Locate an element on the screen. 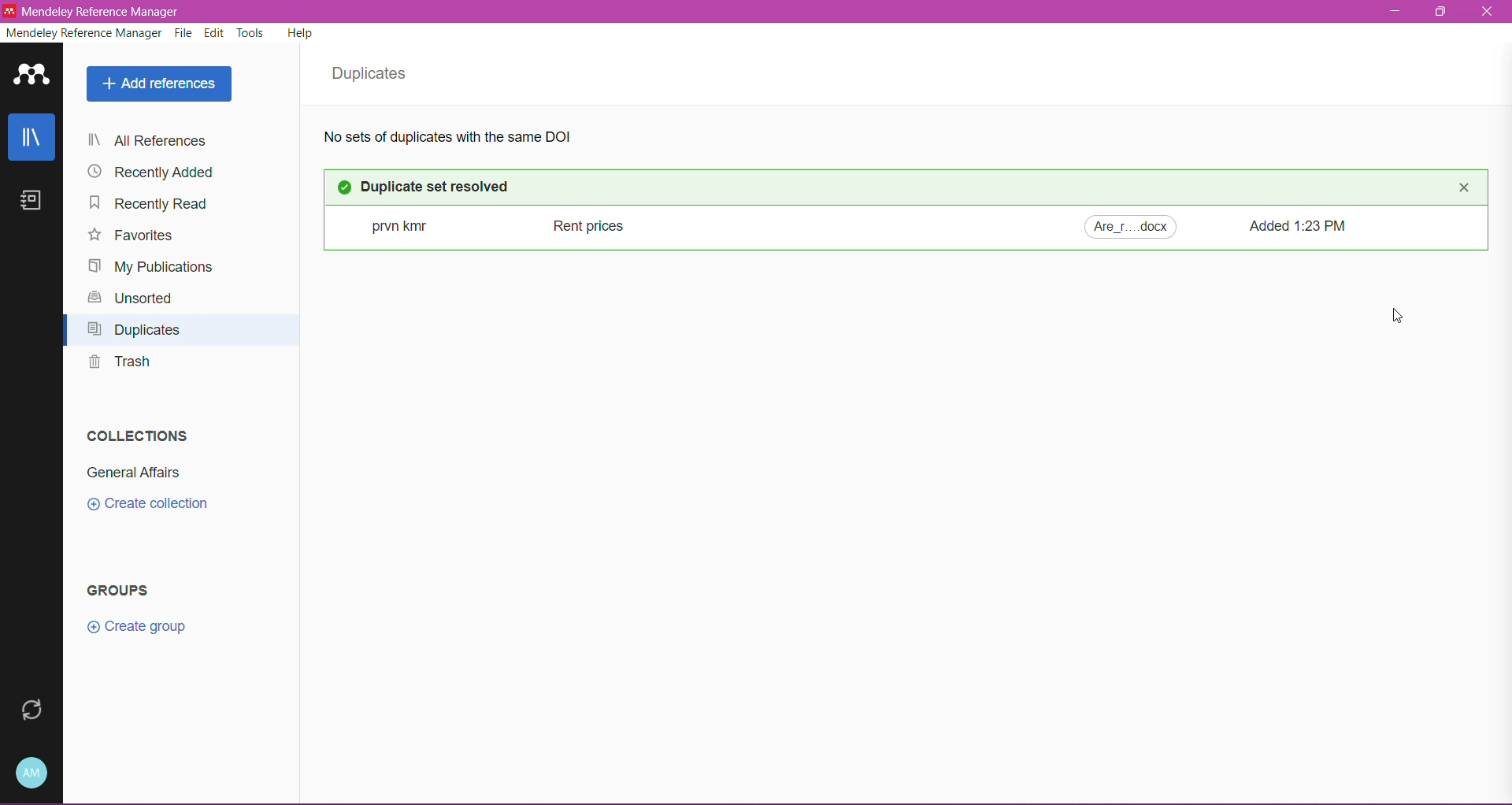 The image size is (1512, 805). Help is located at coordinates (302, 35).